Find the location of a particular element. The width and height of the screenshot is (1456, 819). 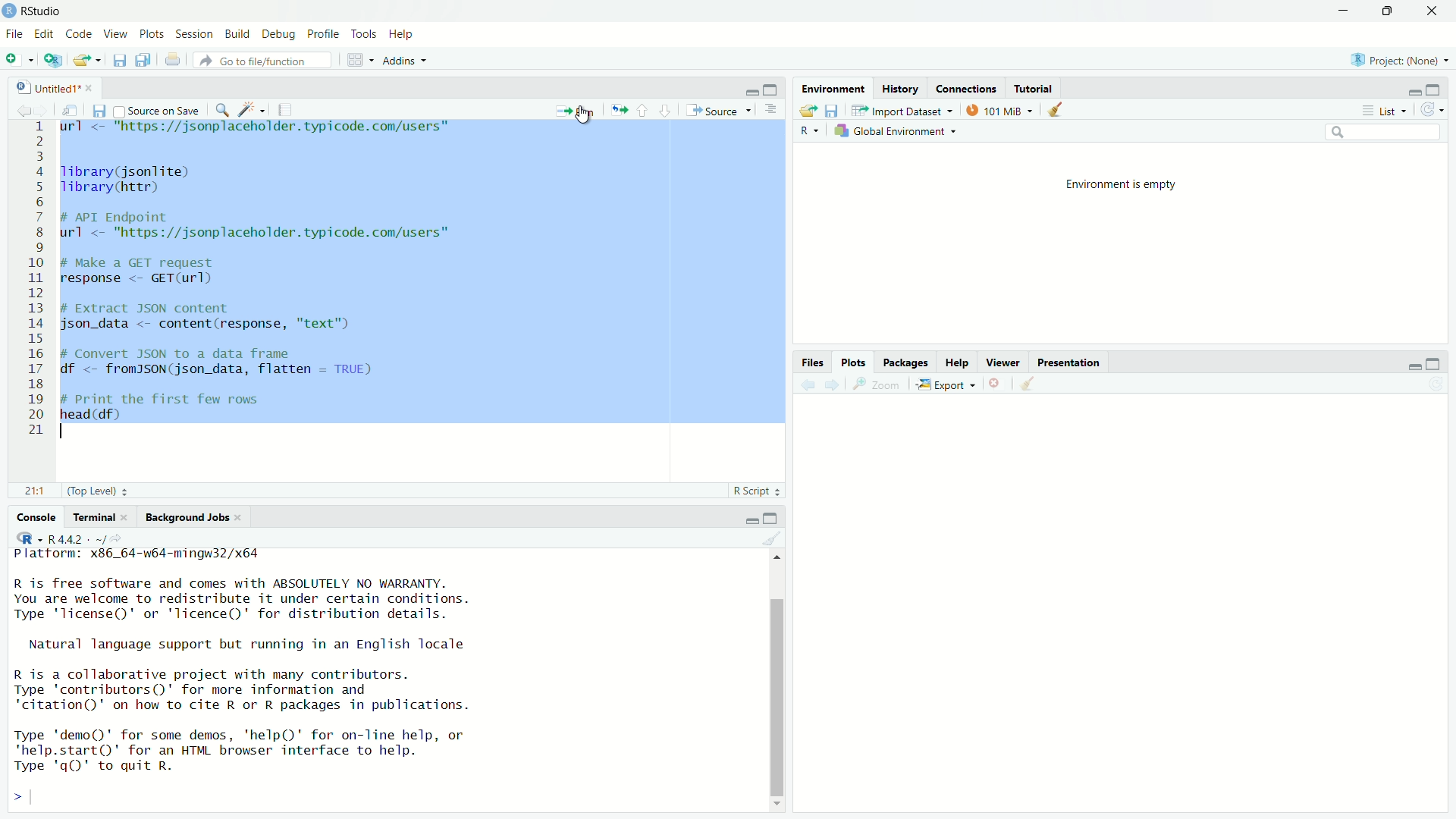

Go to next section is located at coordinates (664, 111).